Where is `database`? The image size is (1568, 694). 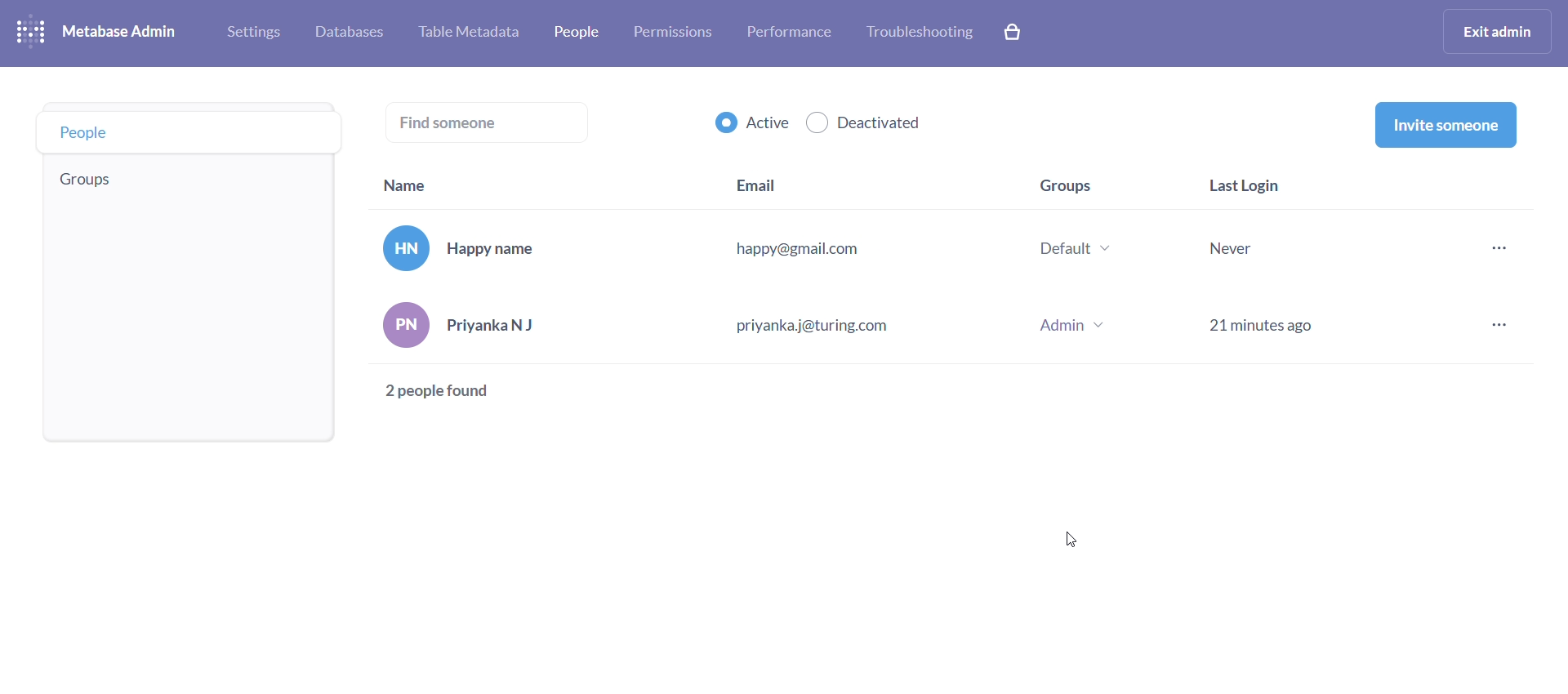 database is located at coordinates (346, 33).